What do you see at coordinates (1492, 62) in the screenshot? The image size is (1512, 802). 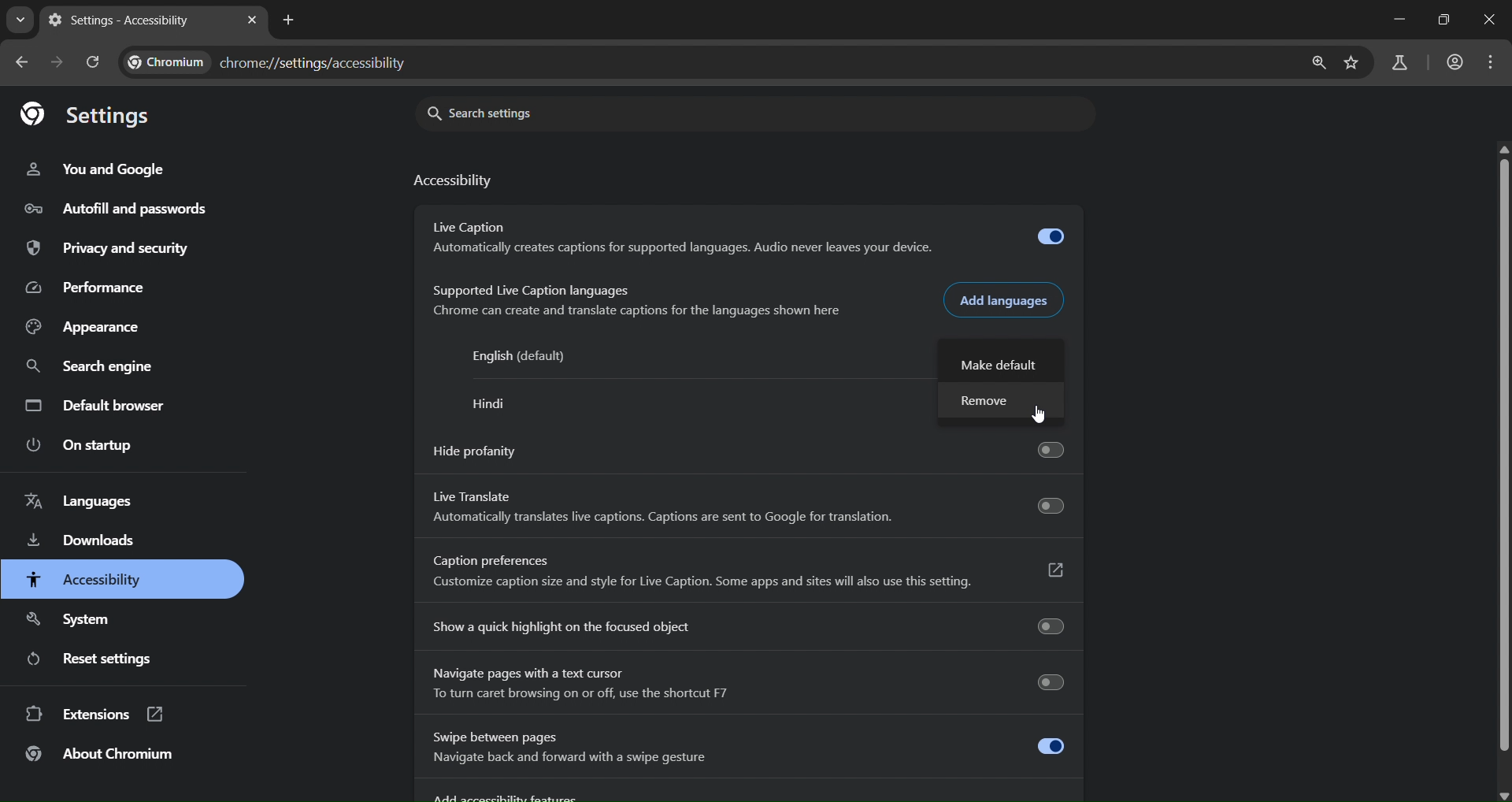 I see `menu` at bounding box center [1492, 62].